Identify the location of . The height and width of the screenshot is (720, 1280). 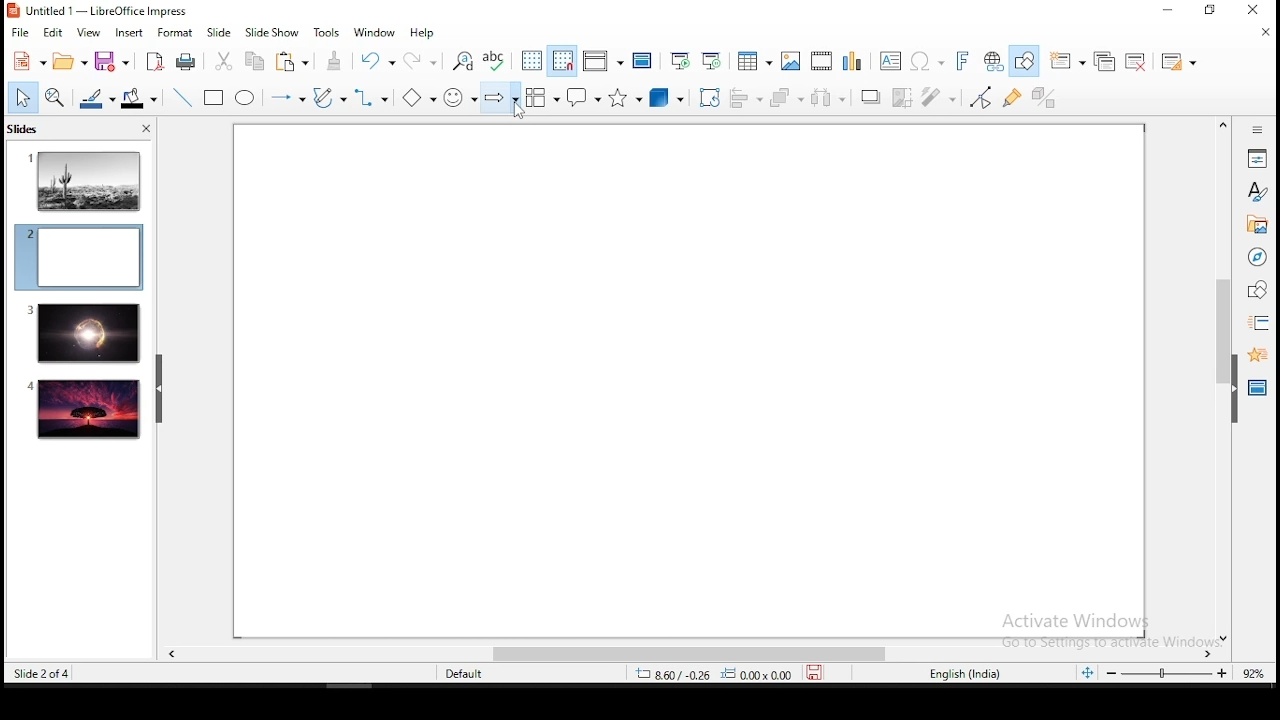
(1255, 129).